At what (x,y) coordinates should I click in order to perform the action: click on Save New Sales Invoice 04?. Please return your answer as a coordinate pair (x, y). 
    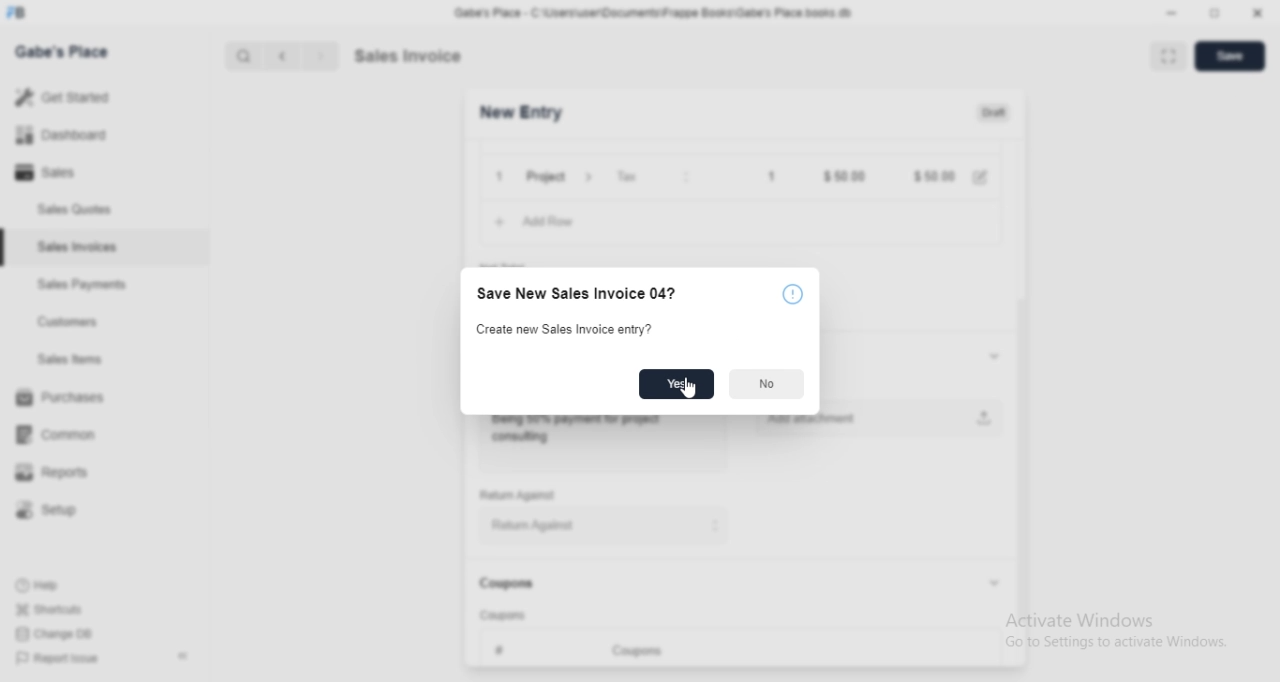
    Looking at the image, I should click on (577, 292).